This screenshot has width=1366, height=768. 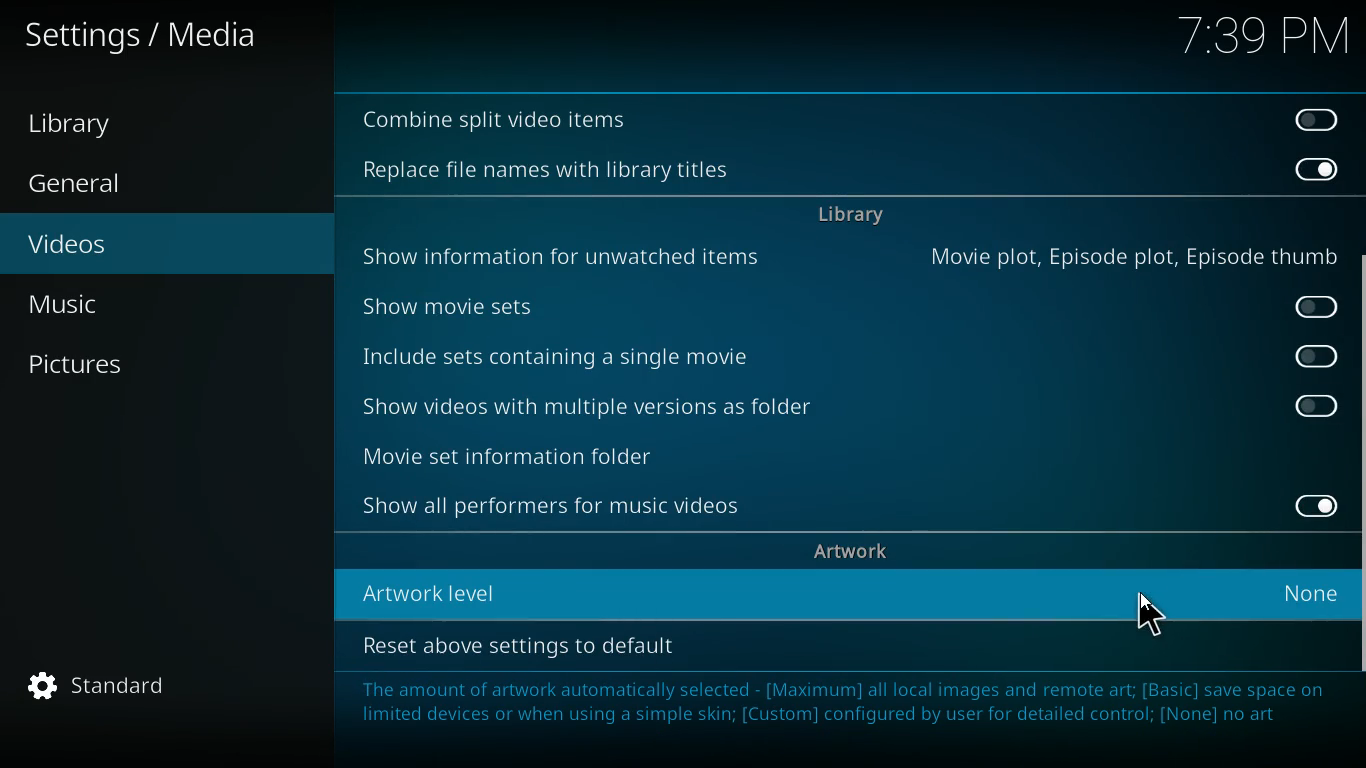 I want to click on library, so click(x=850, y=218).